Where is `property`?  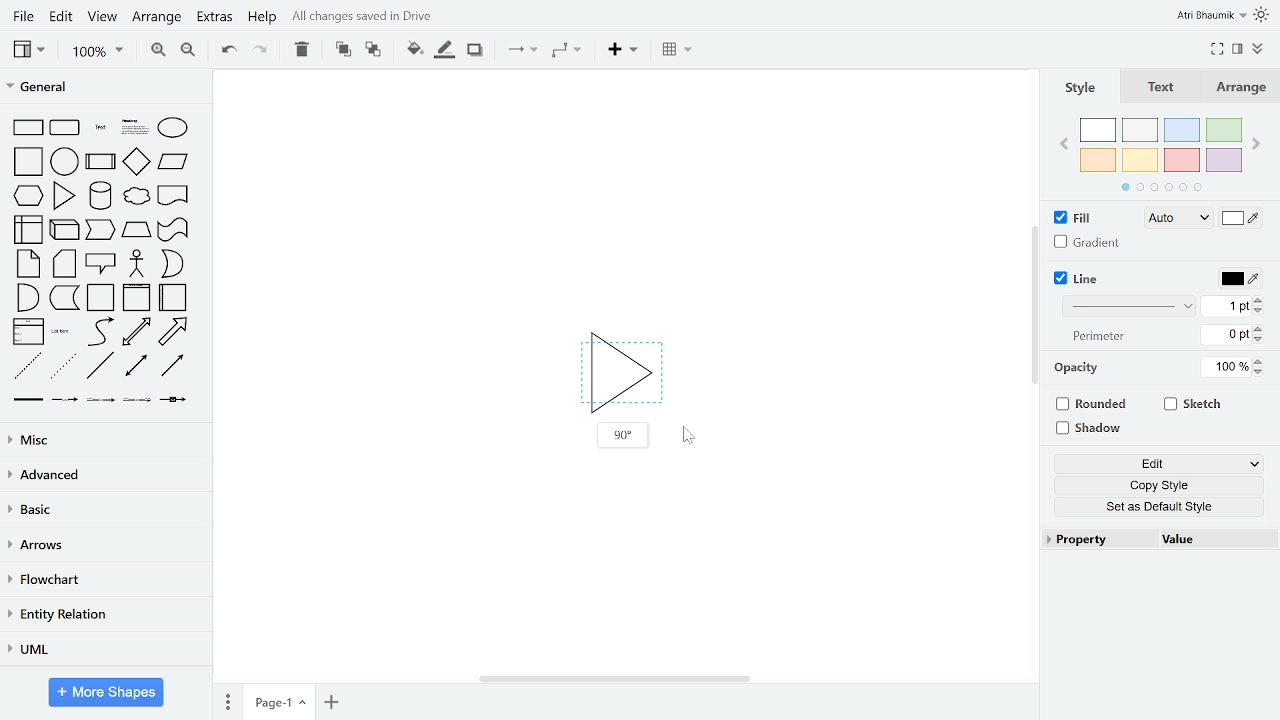
property is located at coordinates (1095, 539).